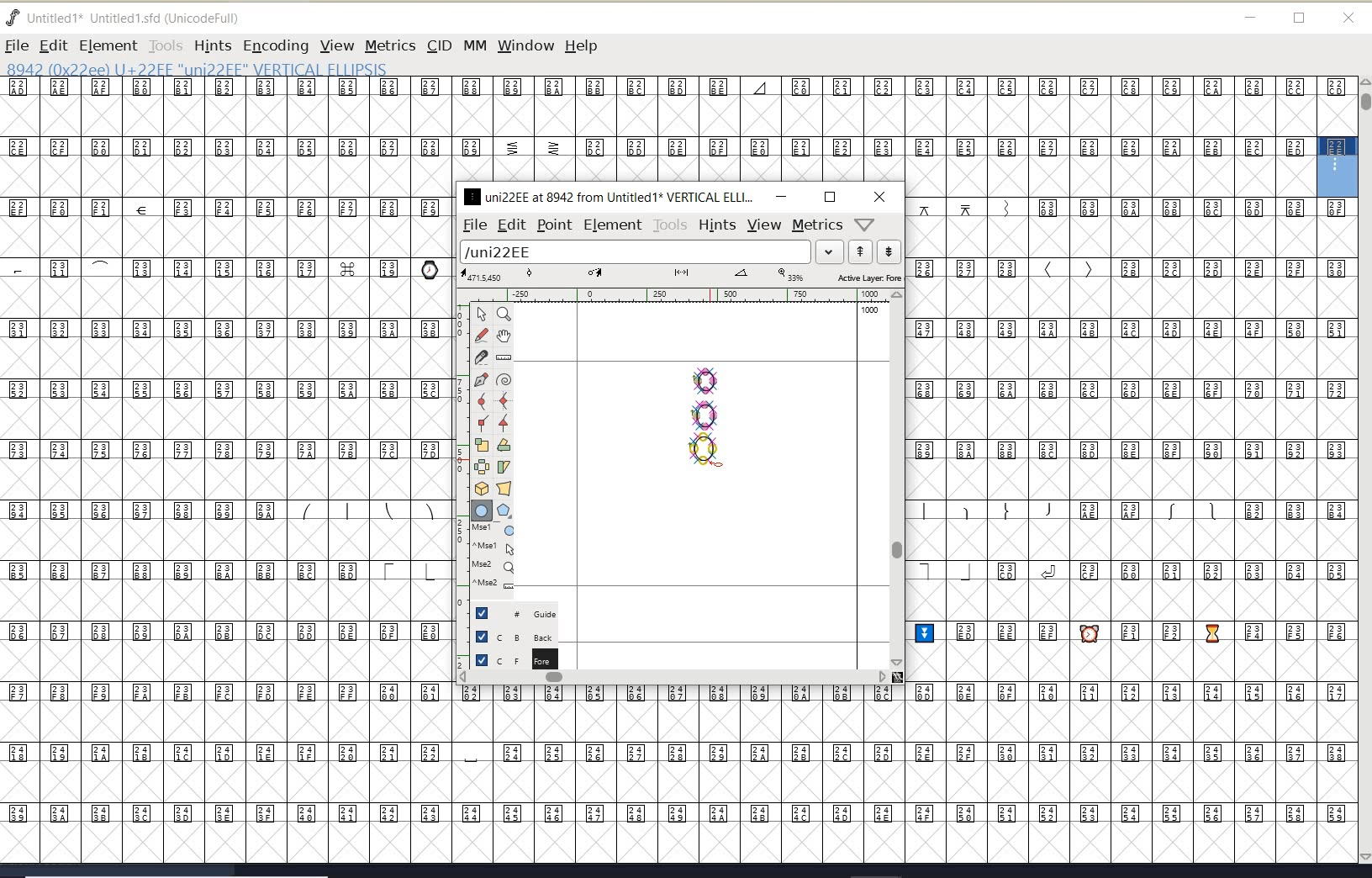 The height and width of the screenshot is (878, 1372). I want to click on VIEW, so click(335, 45).